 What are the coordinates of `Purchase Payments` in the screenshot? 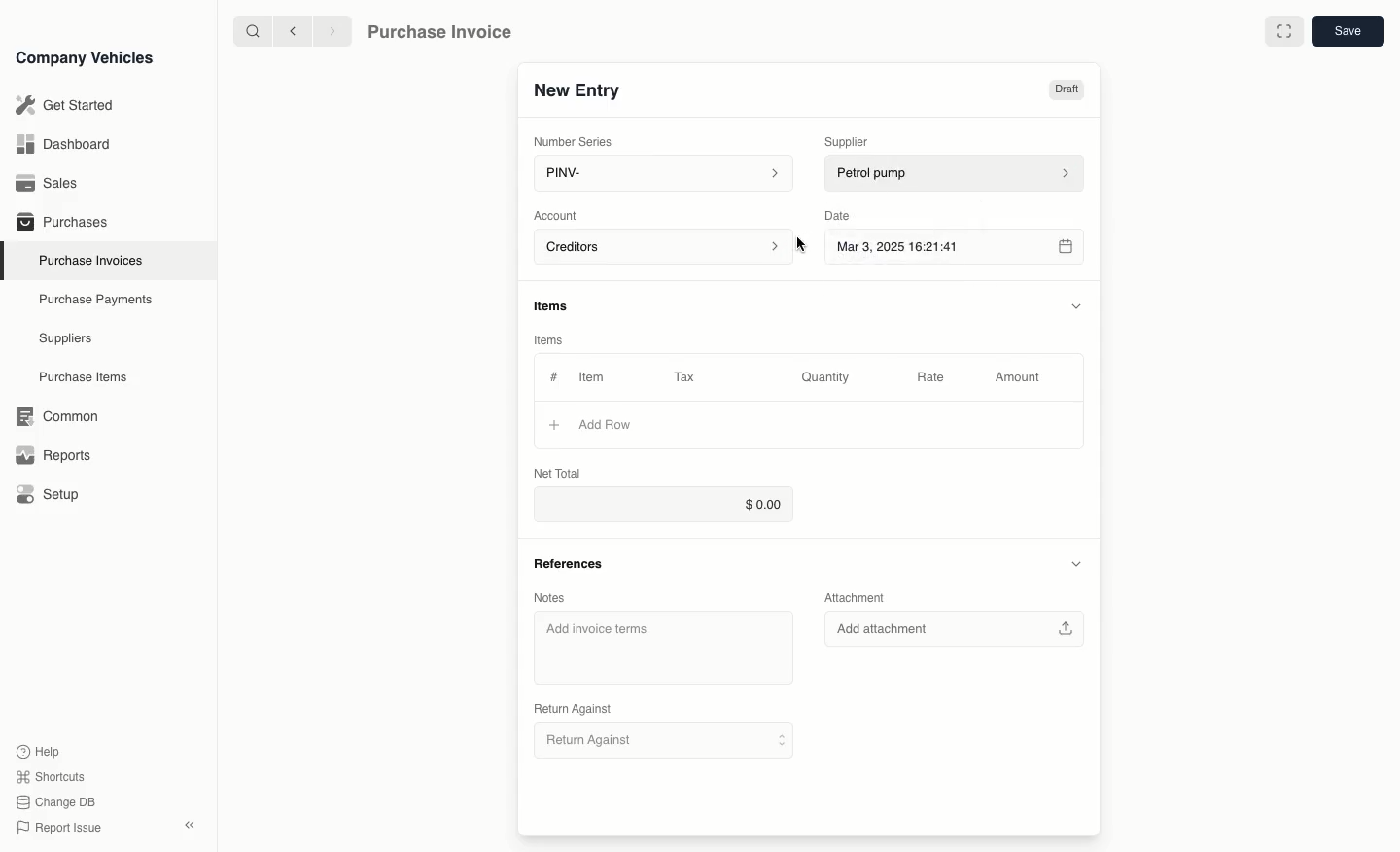 It's located at (93, 300).